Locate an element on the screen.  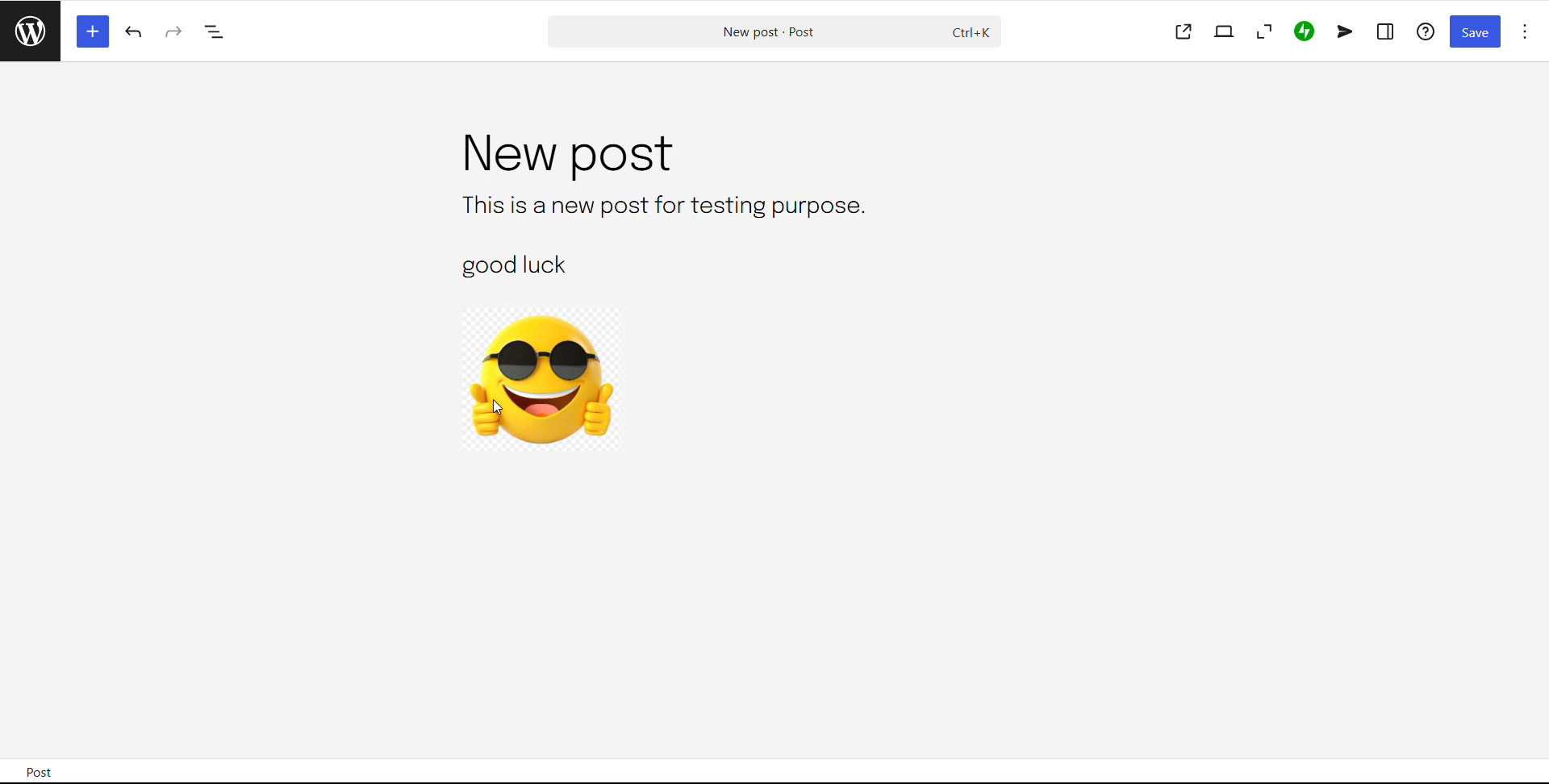
undo is located at coordinates (136, 32).